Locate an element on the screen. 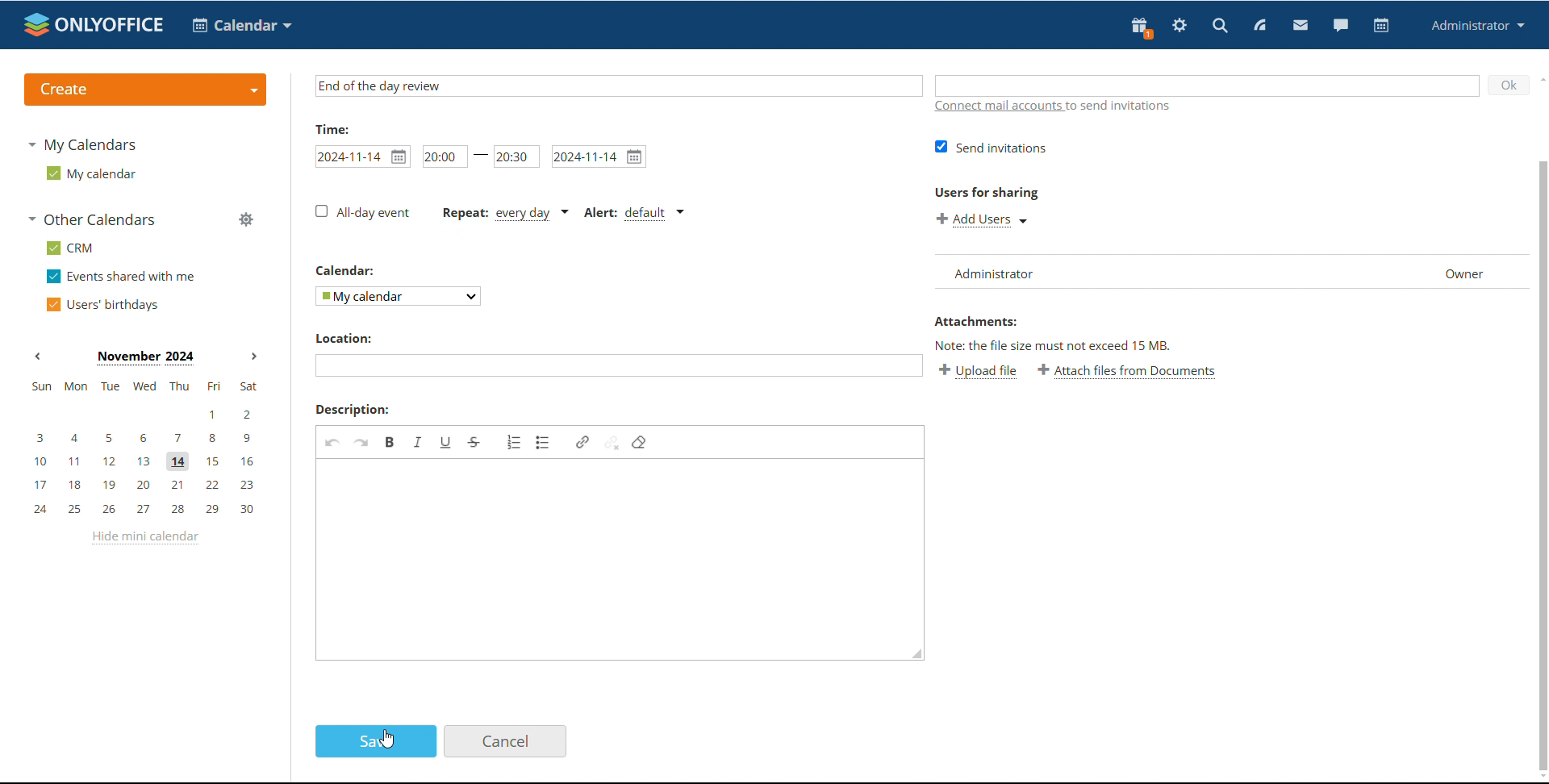 The height and width of the screenshot is (784, 1549). profile is located at coordinates (1478, 25).